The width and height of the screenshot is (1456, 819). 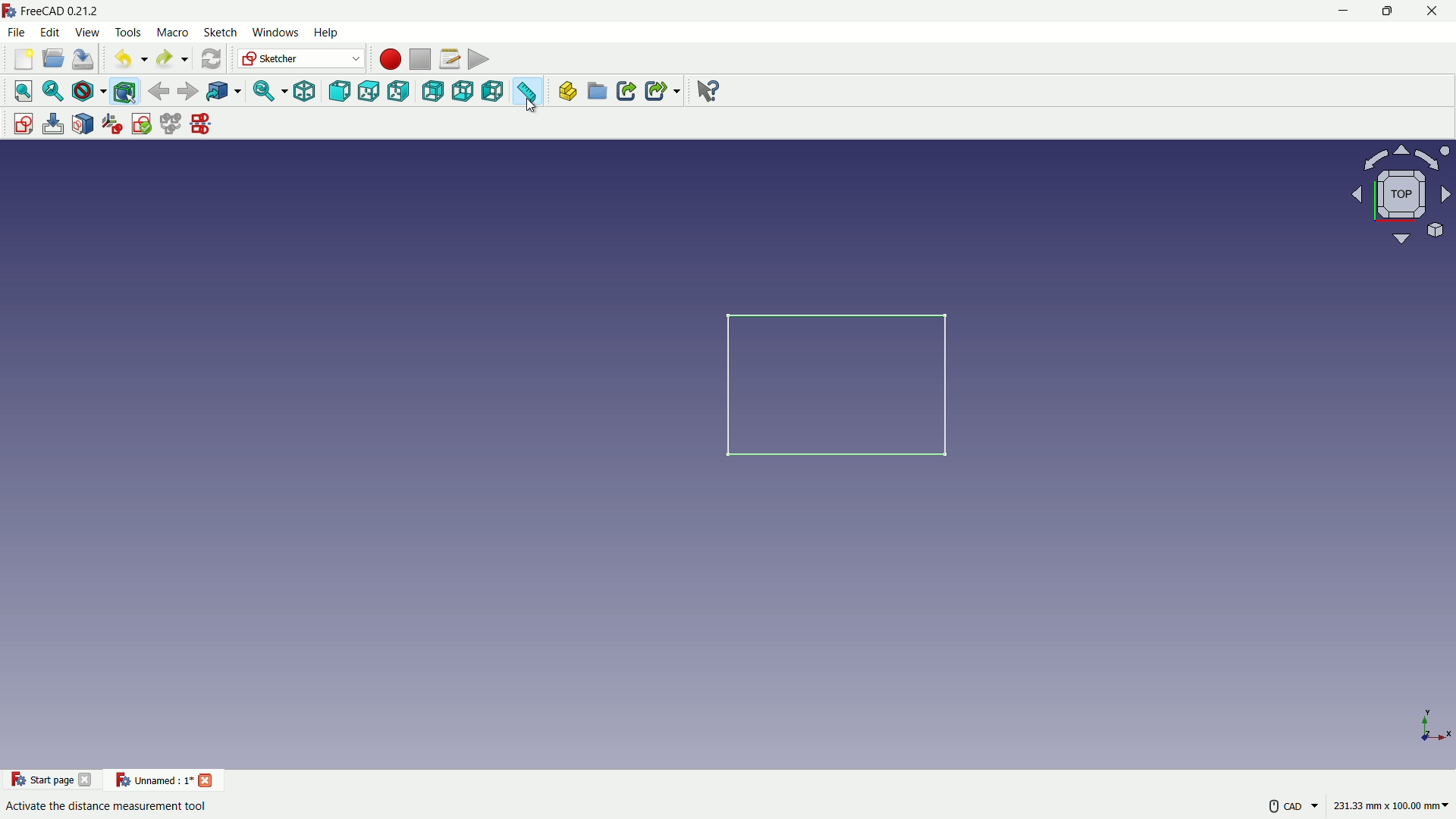 What do you see at coordinates (86, 33) in the screenshot?
I see `view menu` at bounding box center [86, 33].